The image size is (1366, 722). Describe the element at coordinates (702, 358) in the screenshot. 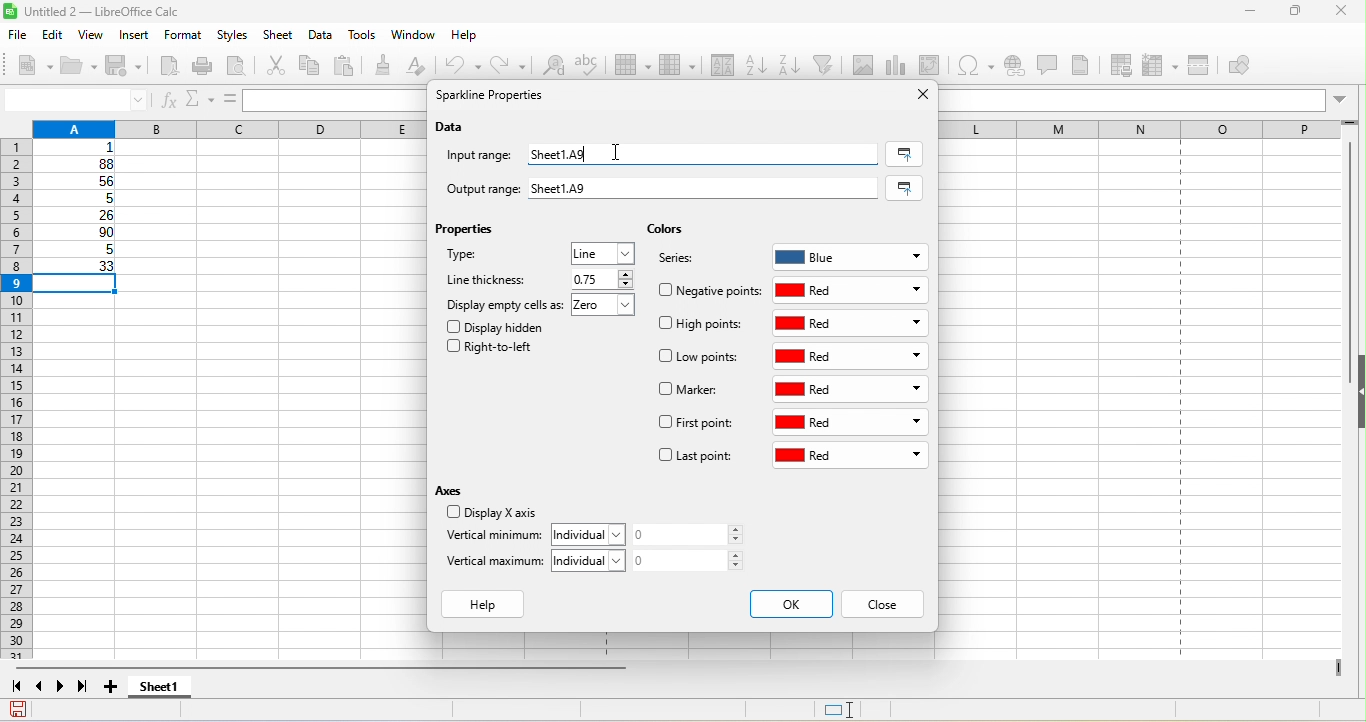

I see `low points` at that location.